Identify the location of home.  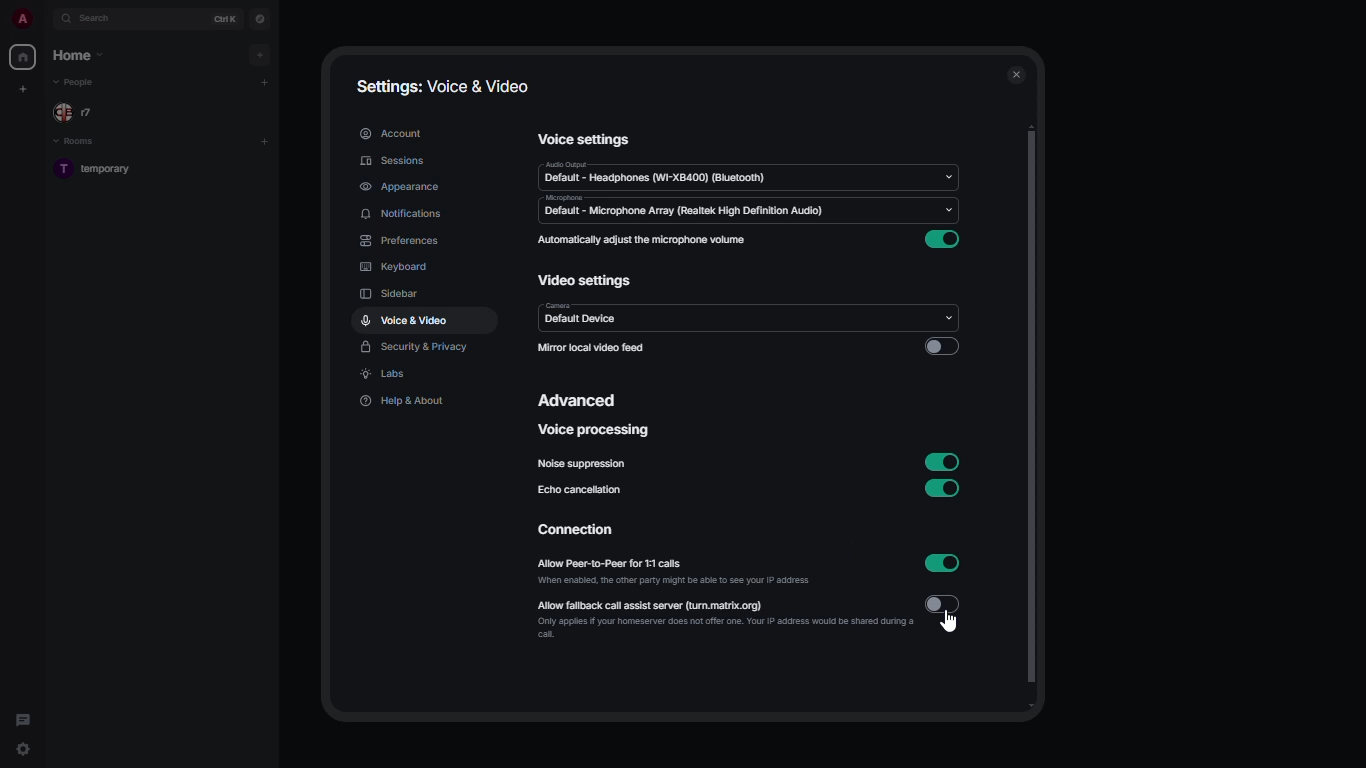
(77, 56).